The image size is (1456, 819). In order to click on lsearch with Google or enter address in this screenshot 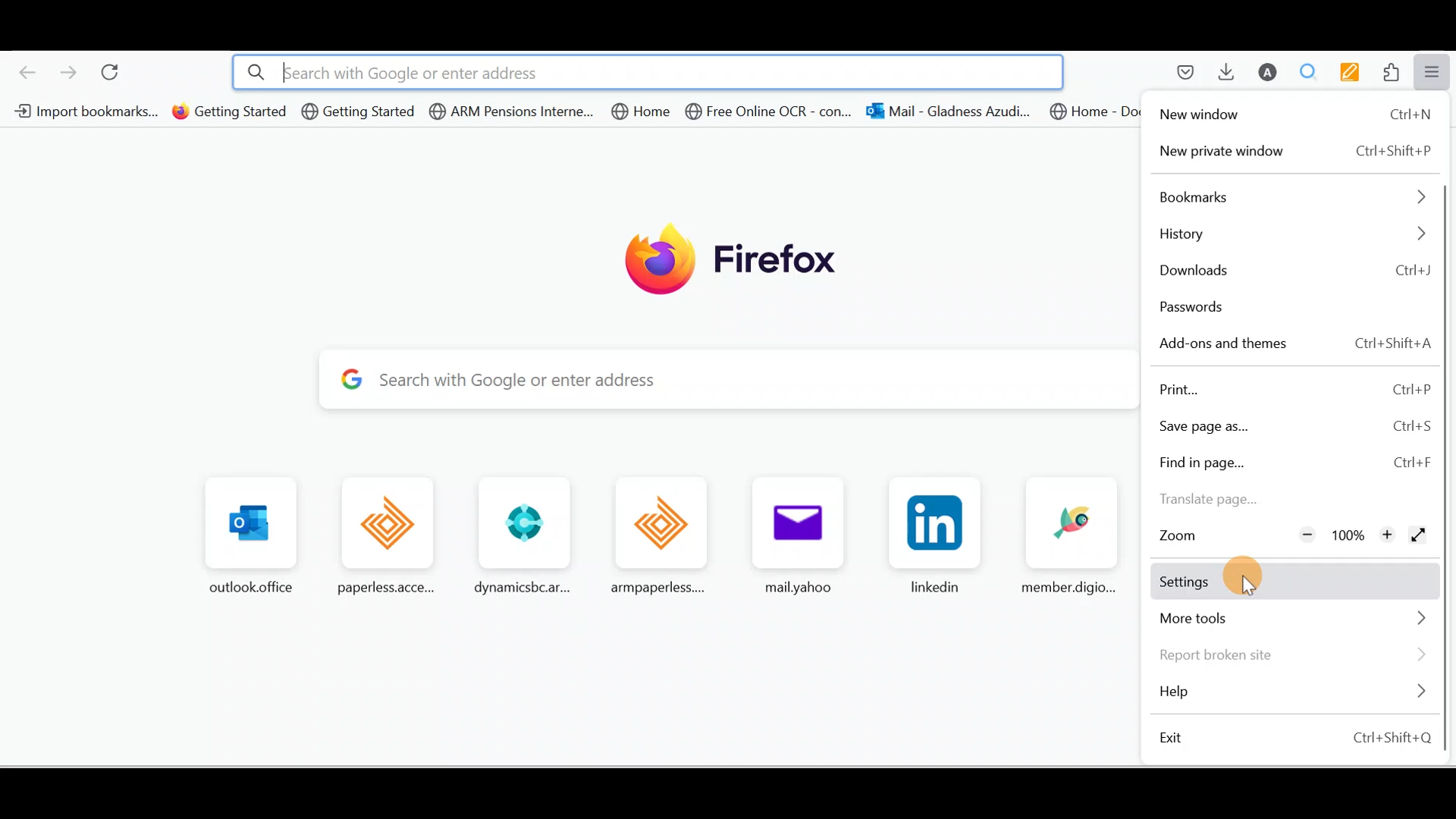, I will do `click(650, 73)`.